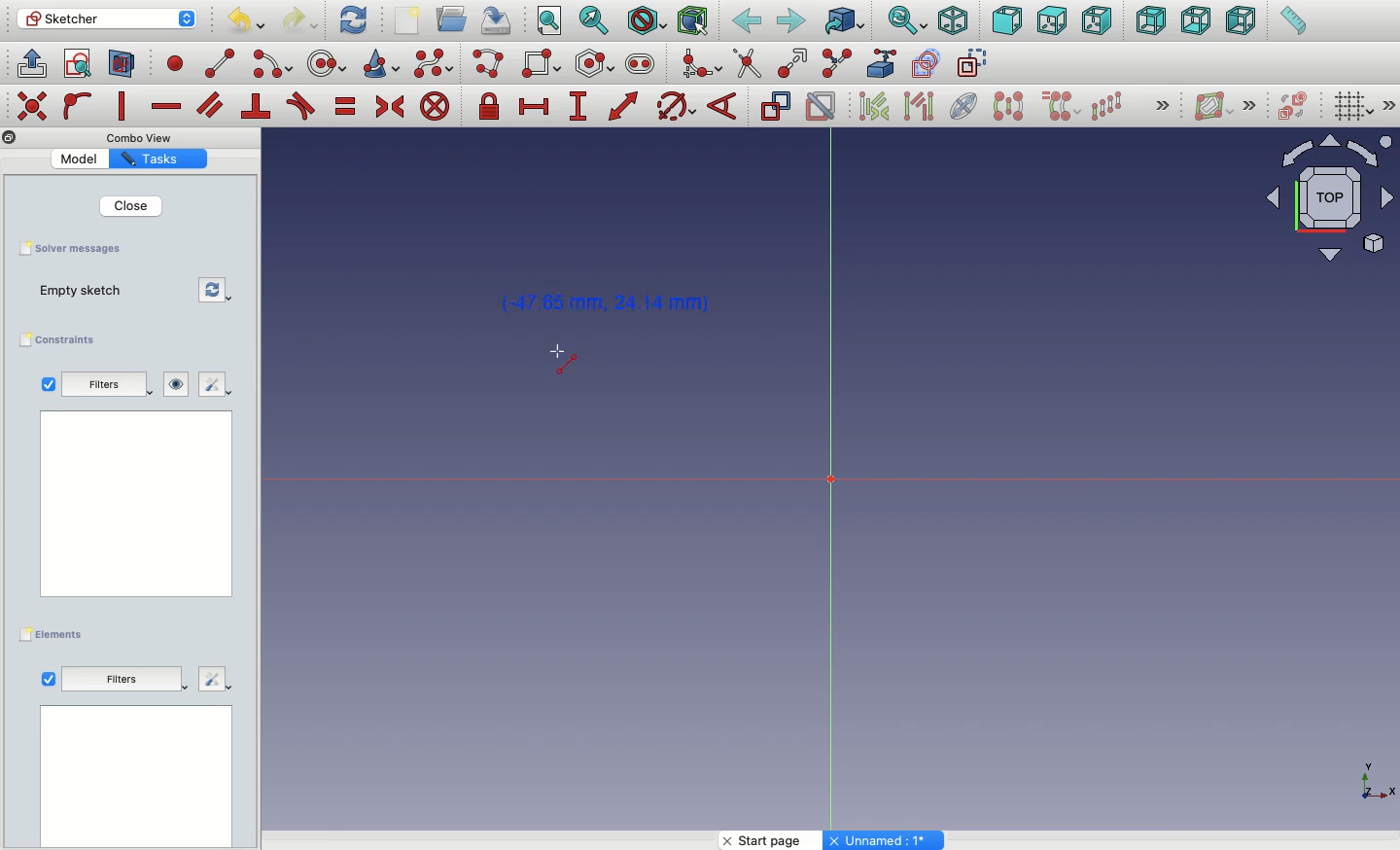  What do you see at coordinates (1098, 22) in the screenshot?
I see `Right` at bounding box center [1098, 22].